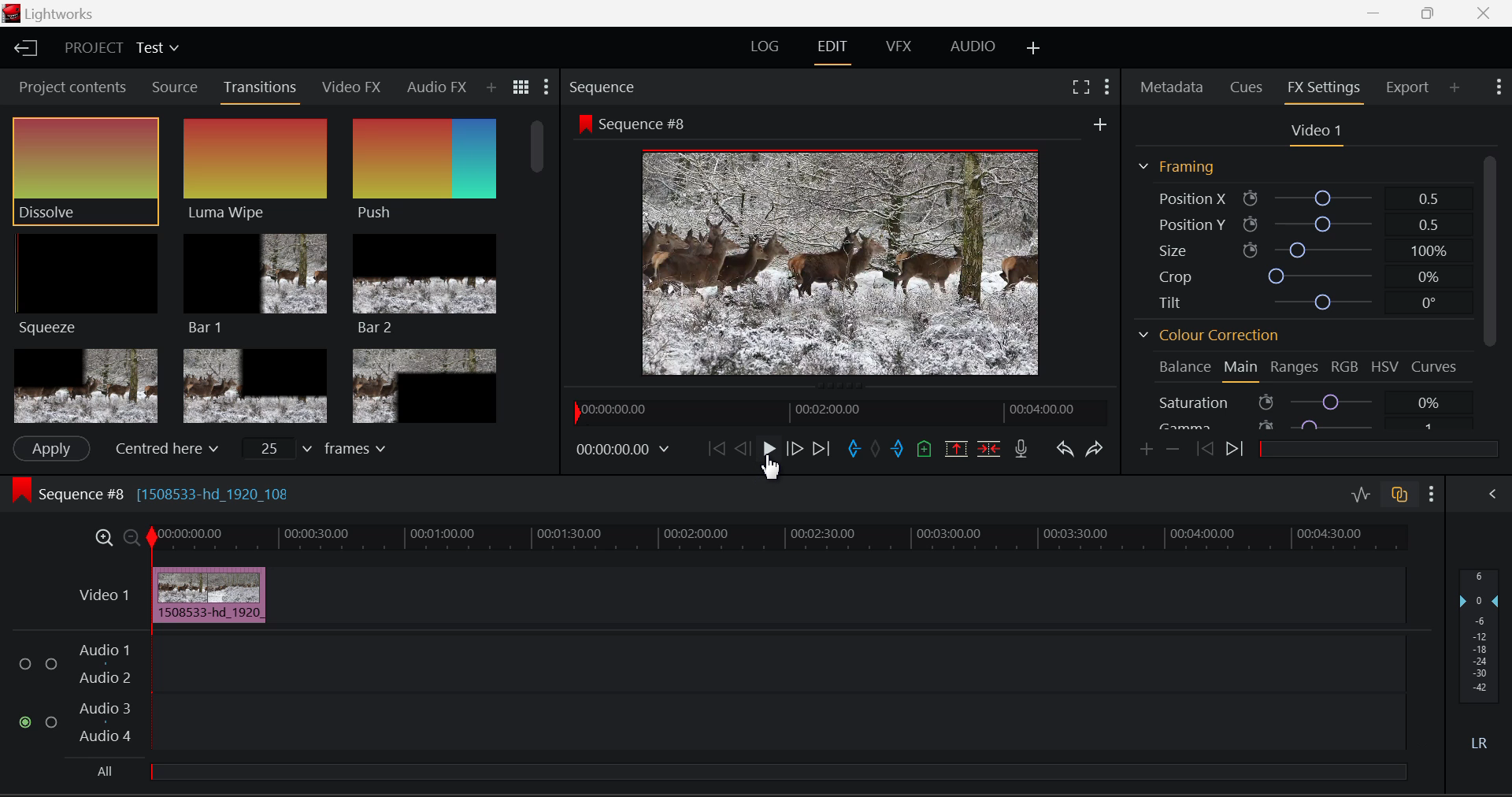  Describe the element at coordinates (1431, 14) in the screenshot. I see `Minimize` at that location.